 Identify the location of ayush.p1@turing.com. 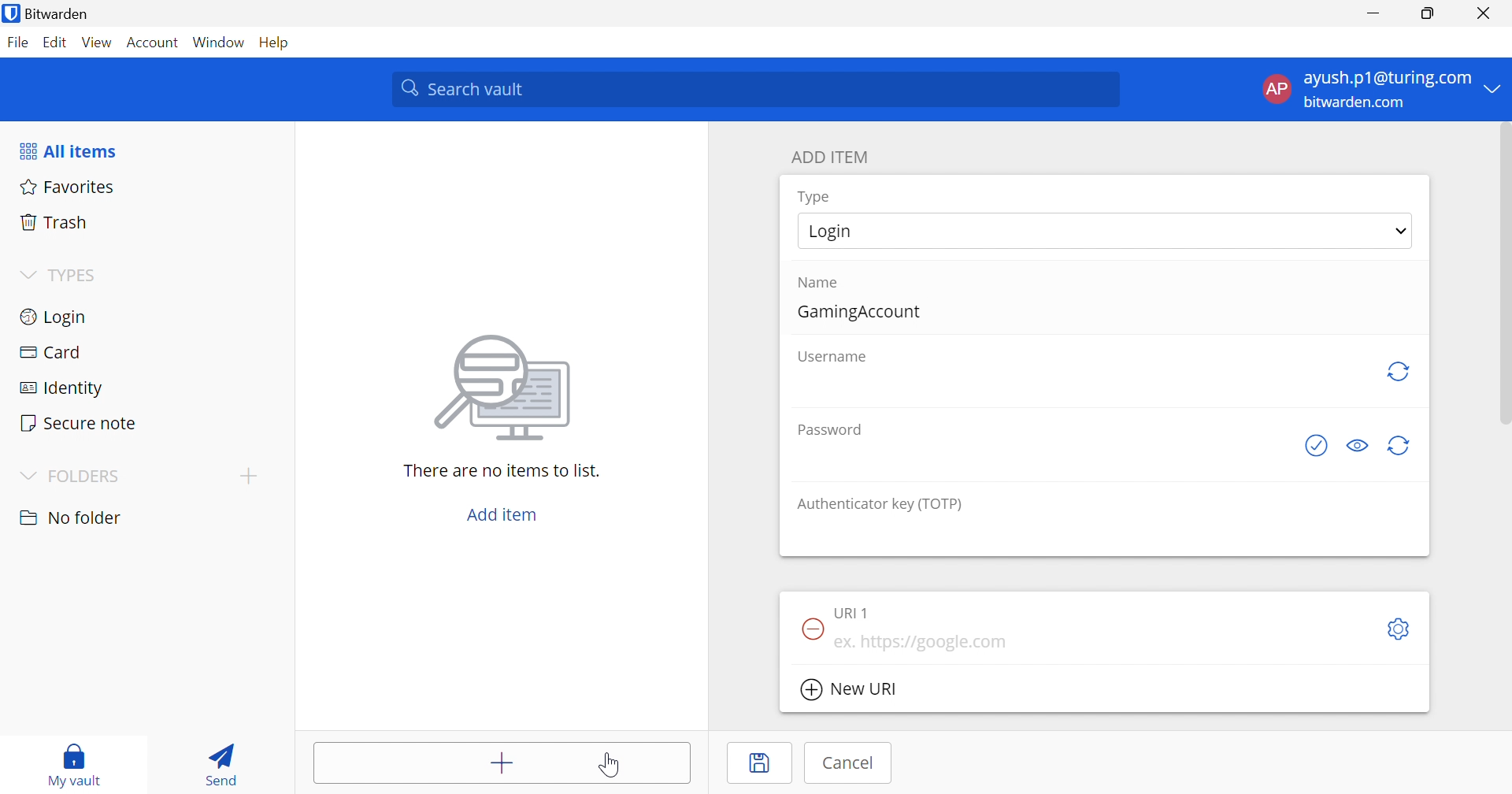
(1390, 80).